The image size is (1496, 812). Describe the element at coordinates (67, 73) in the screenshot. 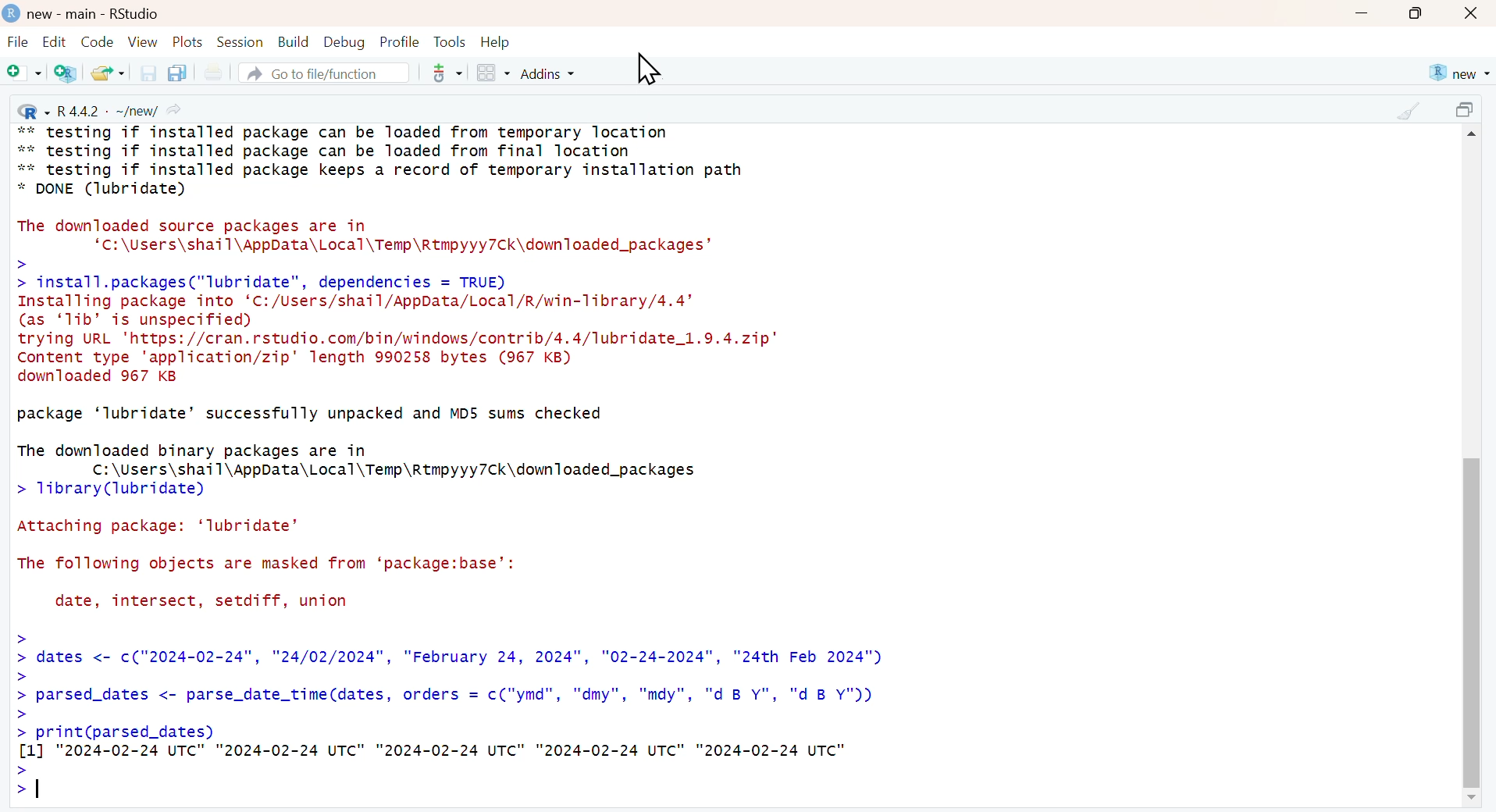

I see `Create a project` at that location.